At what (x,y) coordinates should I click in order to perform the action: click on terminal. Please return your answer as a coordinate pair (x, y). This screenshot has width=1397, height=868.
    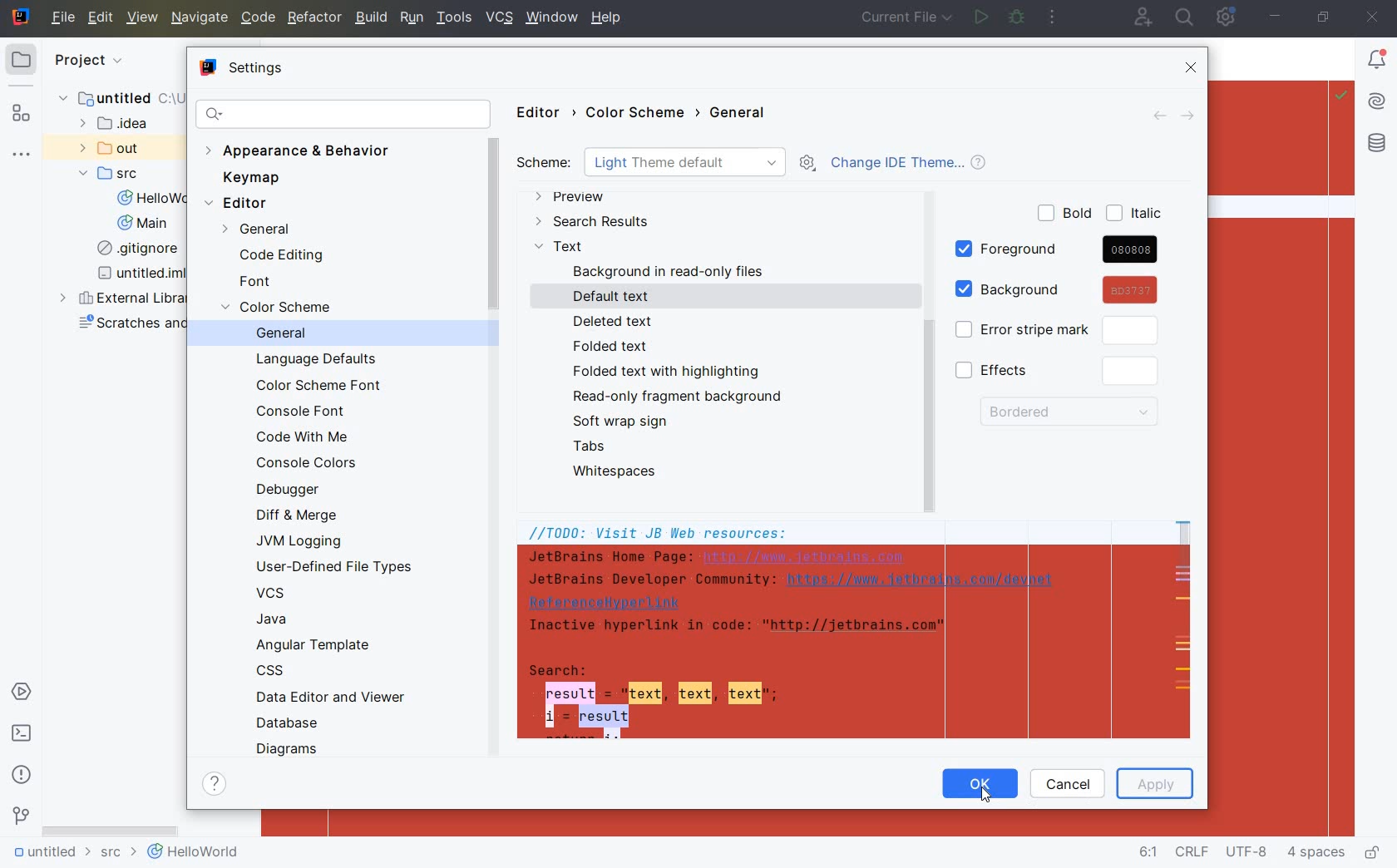
    Looking at the image, I should click on (22, 734).